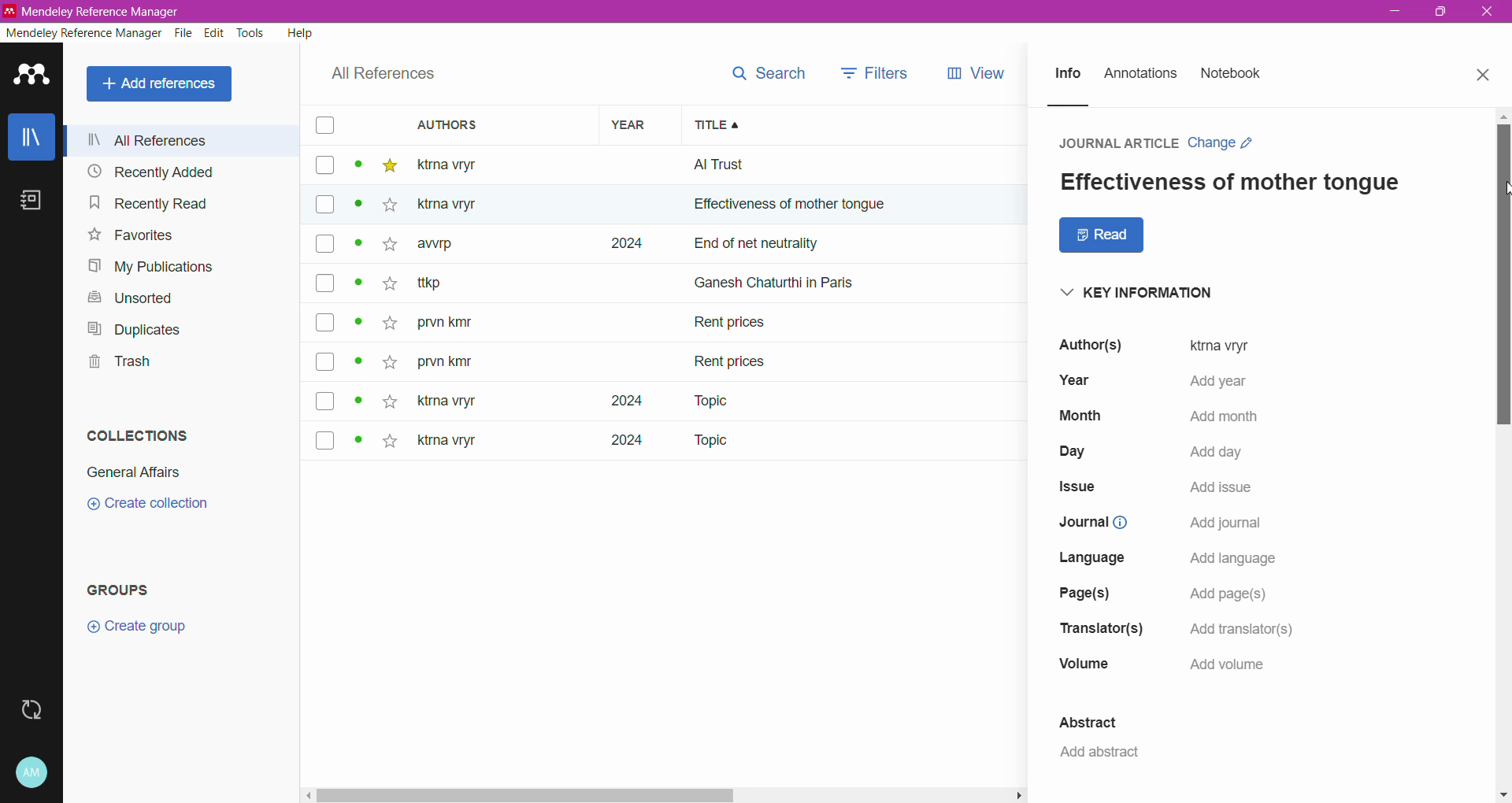 The width and height of the screenshot is (1512, 803). I want to click on views , so click(987, 73).